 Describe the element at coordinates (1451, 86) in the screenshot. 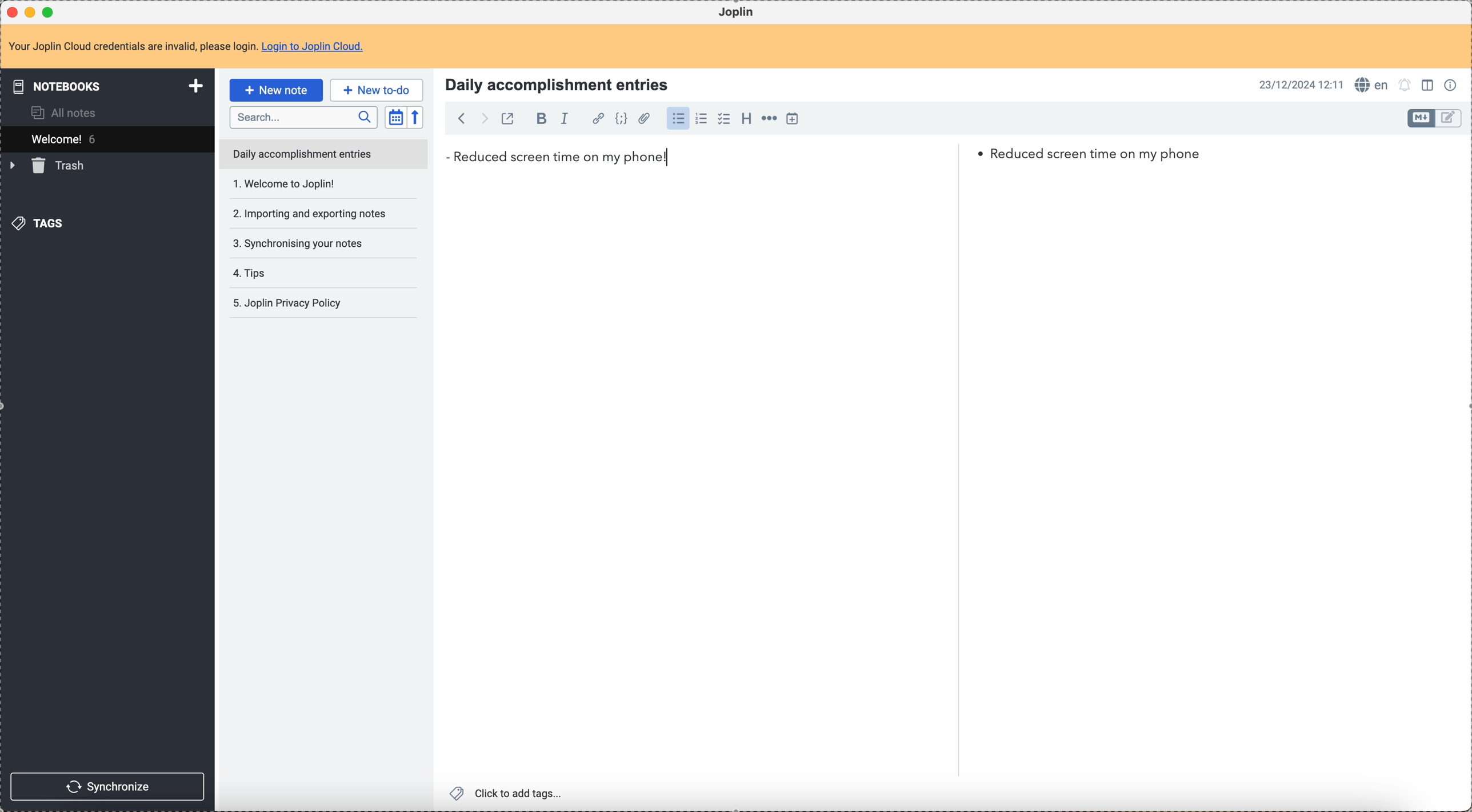

I see `note properties` at that location.